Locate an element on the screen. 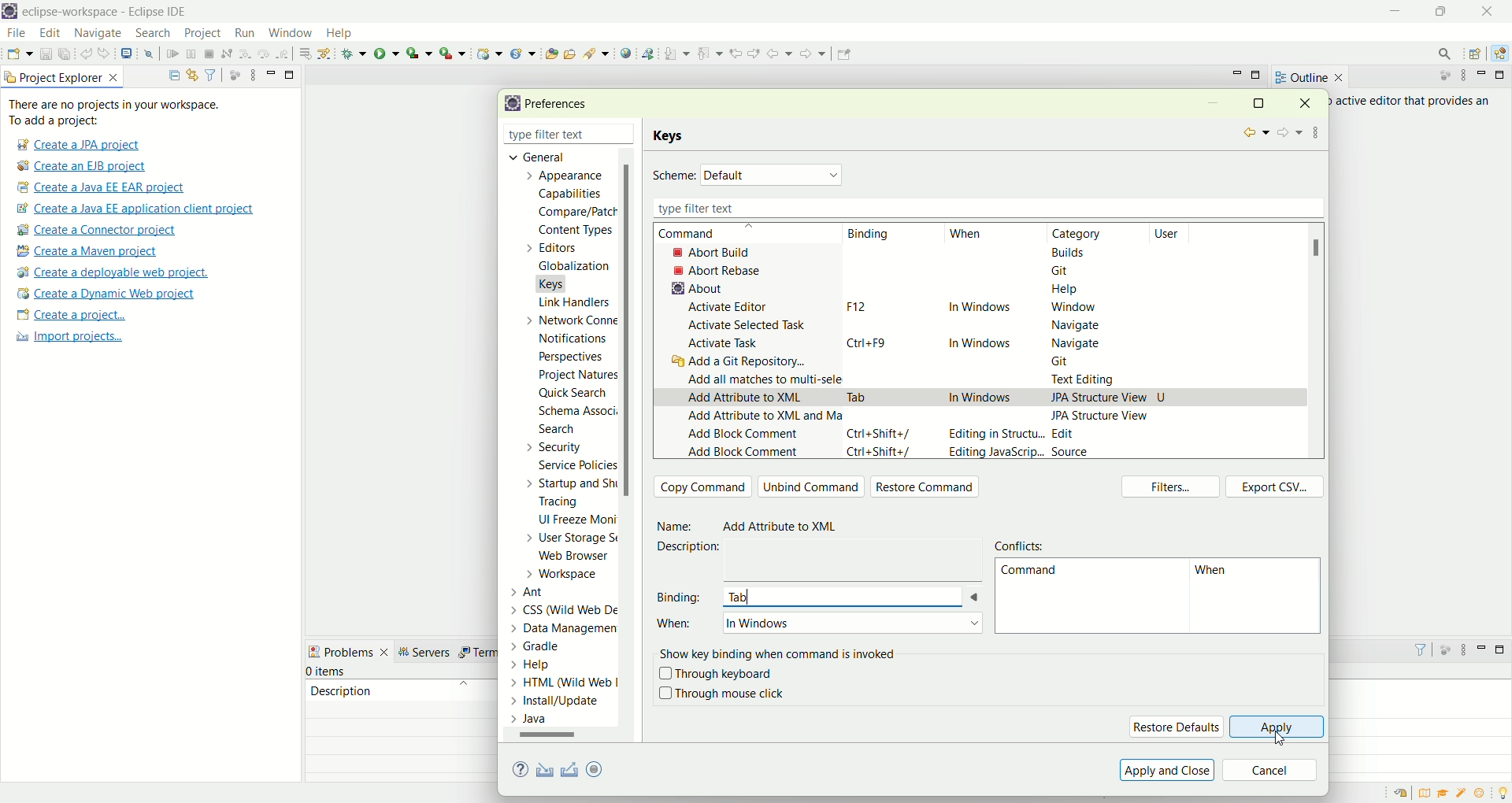 The width and height of the screenshot is (1512, 803). In Windows is located at coordinates (970, 398).